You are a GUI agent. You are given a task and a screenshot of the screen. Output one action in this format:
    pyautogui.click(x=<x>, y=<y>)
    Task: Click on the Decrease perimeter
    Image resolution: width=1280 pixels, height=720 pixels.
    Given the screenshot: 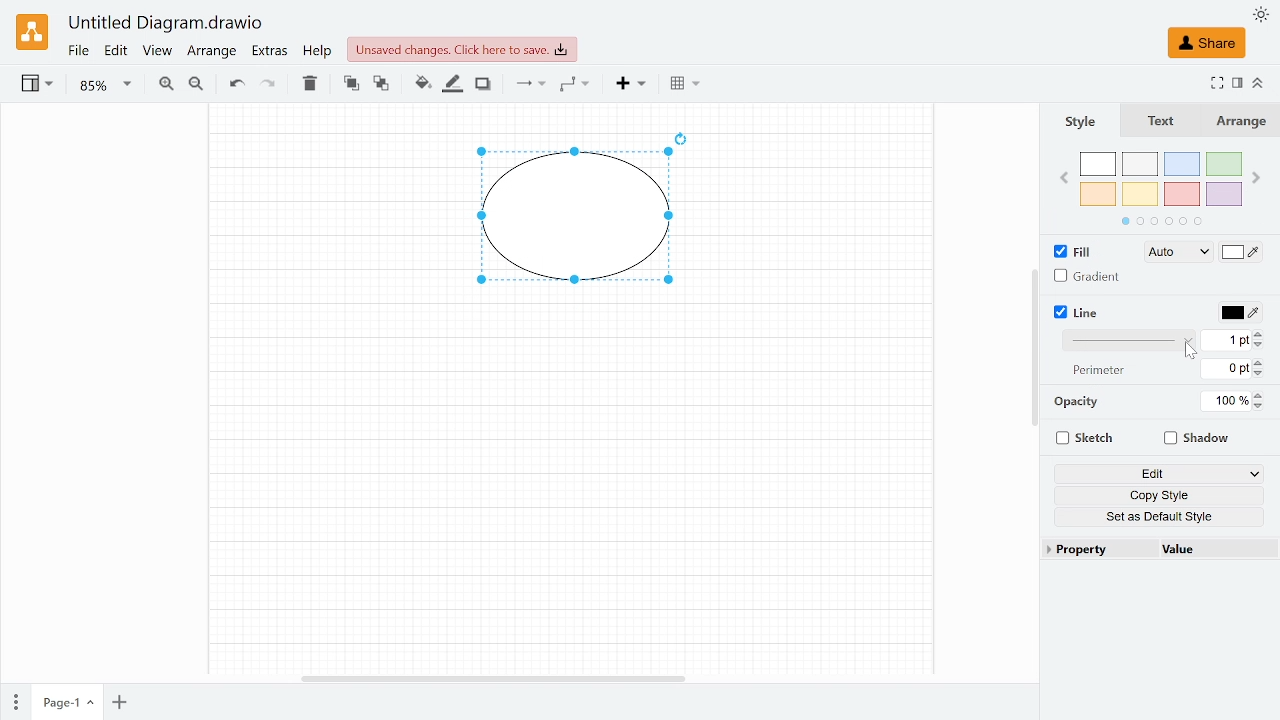 What is the action you would take?
    pyautogui.click(x=1263, y=374)
    